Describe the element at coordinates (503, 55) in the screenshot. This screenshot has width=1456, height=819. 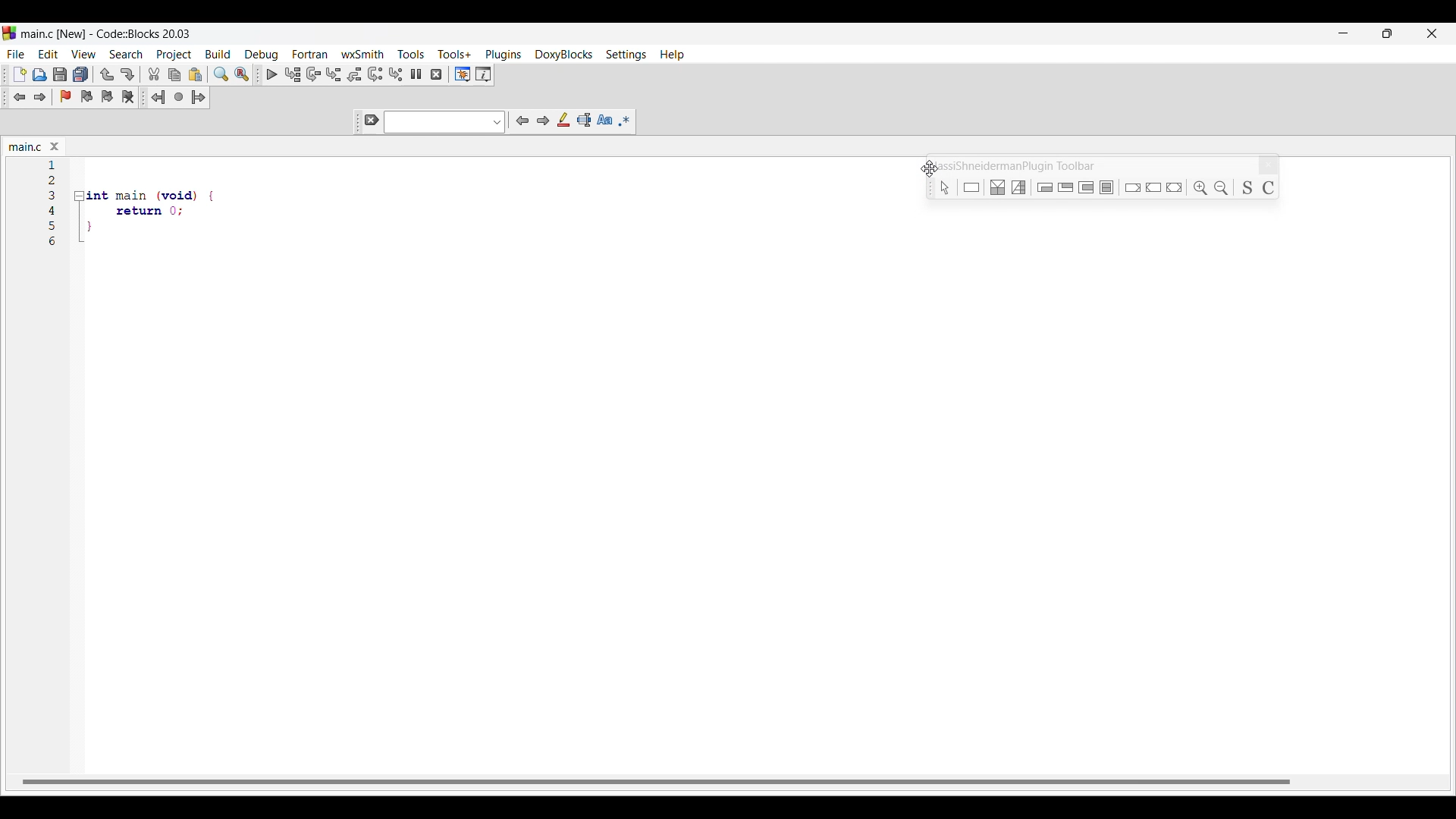
I see `Plugins menu` at that location.